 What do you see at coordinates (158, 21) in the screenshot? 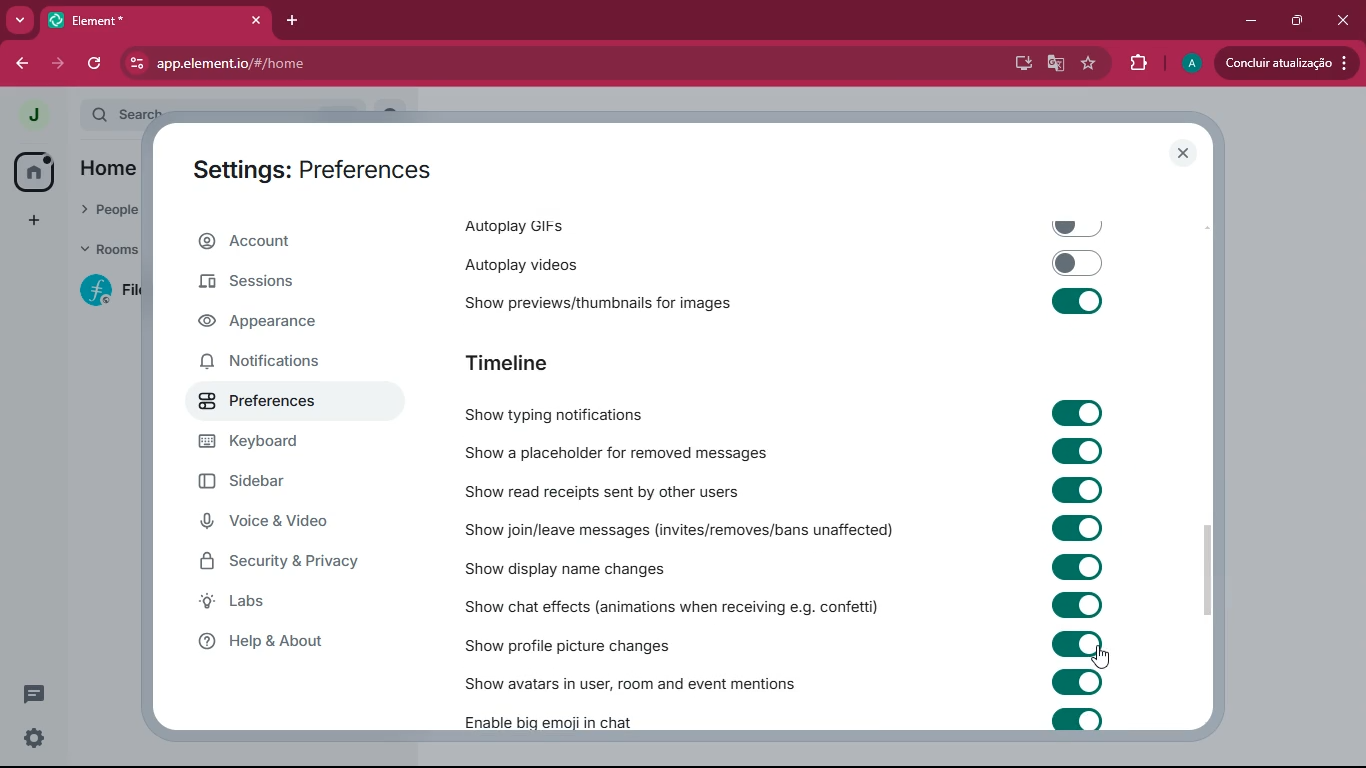
I see `element tab` at bounding box center [158, 21].